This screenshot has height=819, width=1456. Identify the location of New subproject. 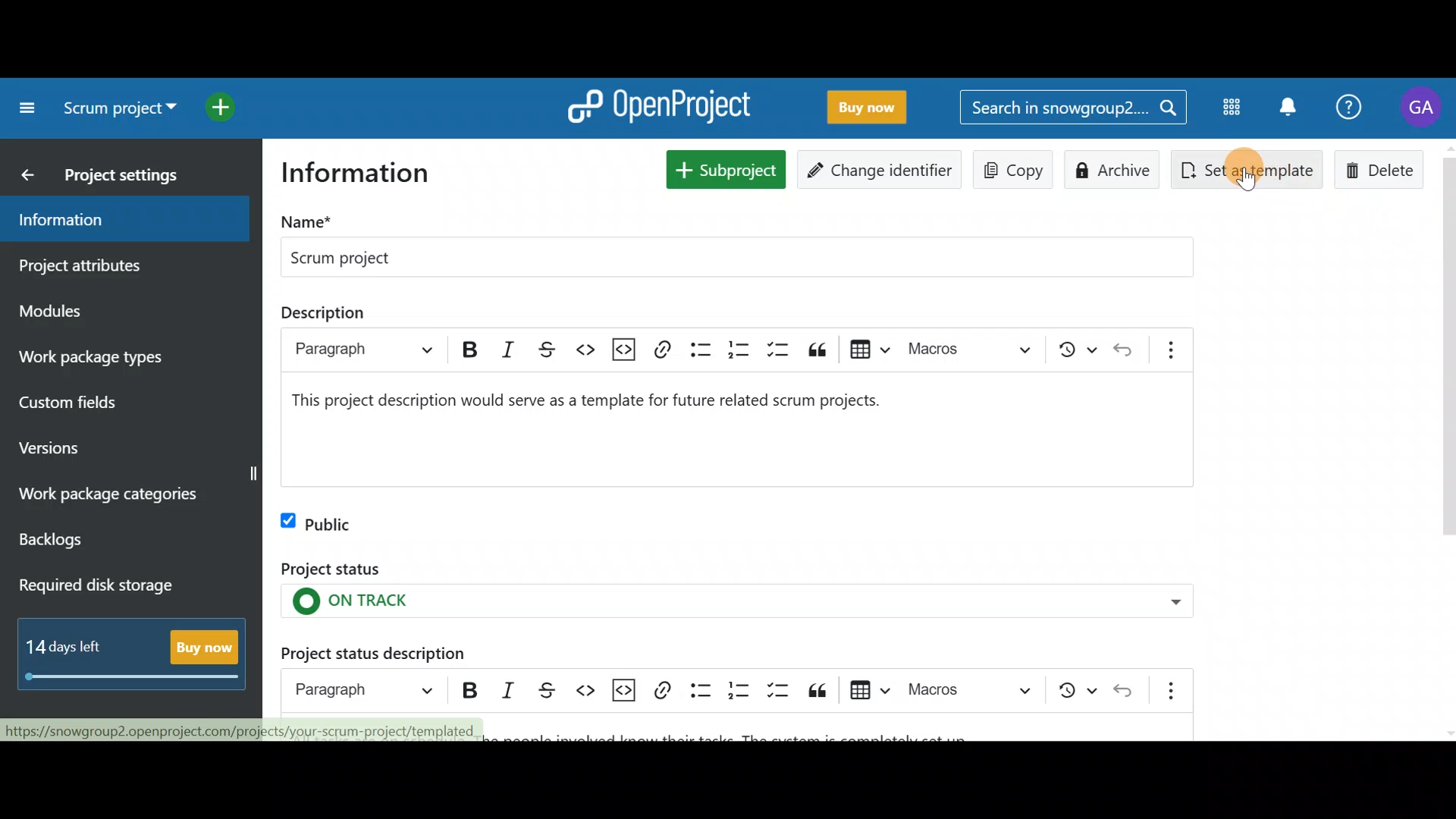
(723, 168).